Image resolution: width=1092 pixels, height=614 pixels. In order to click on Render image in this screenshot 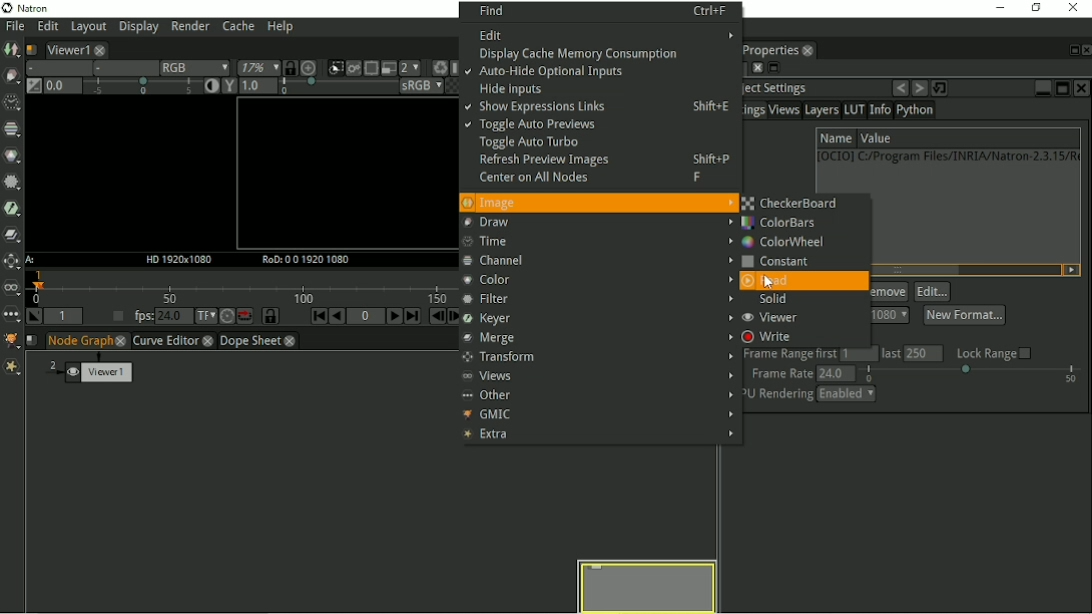, I will do `click(353, 69)`.